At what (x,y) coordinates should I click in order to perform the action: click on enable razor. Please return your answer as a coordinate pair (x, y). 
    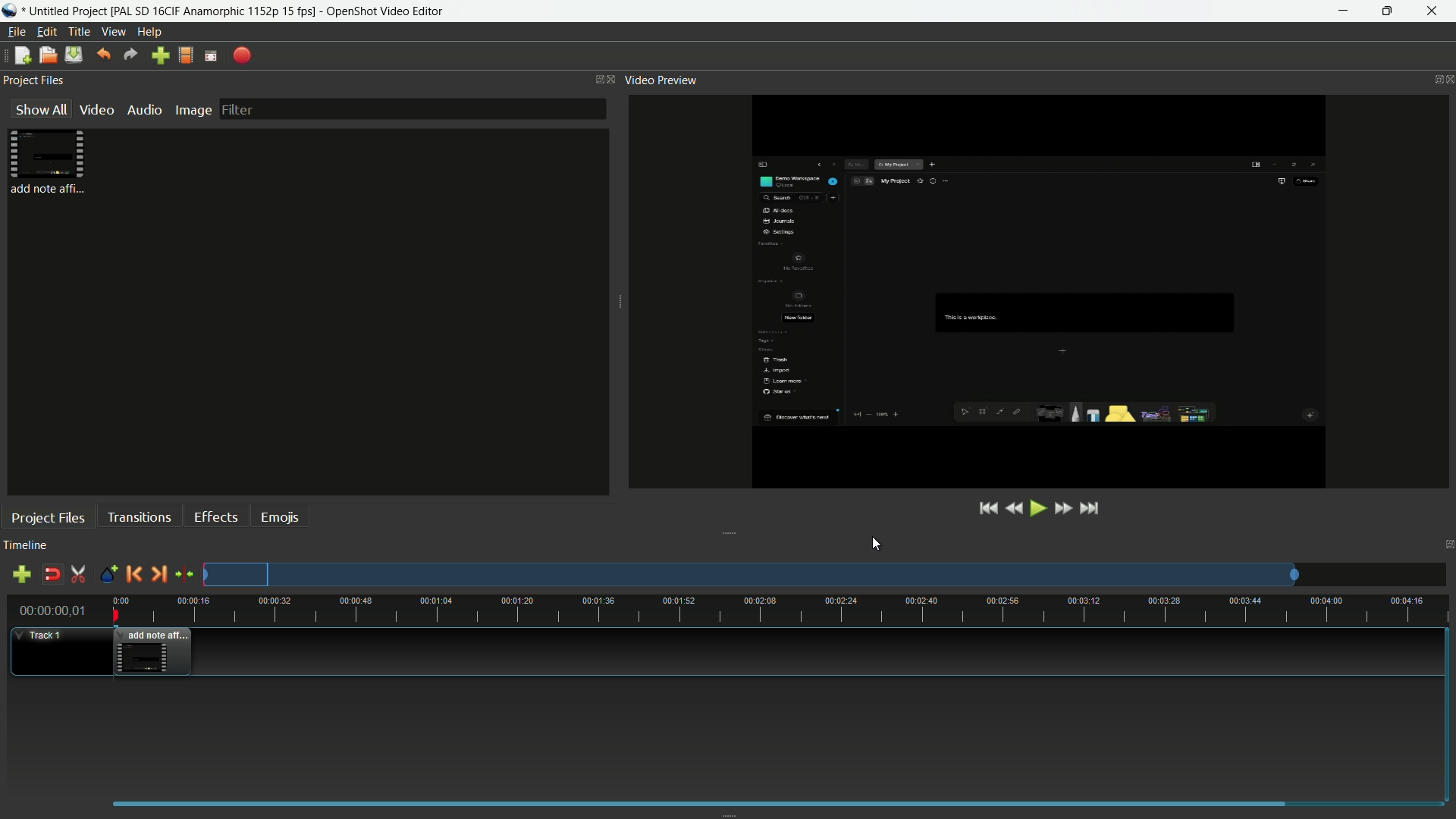
    Looking at the image, I should click on (79, 574).